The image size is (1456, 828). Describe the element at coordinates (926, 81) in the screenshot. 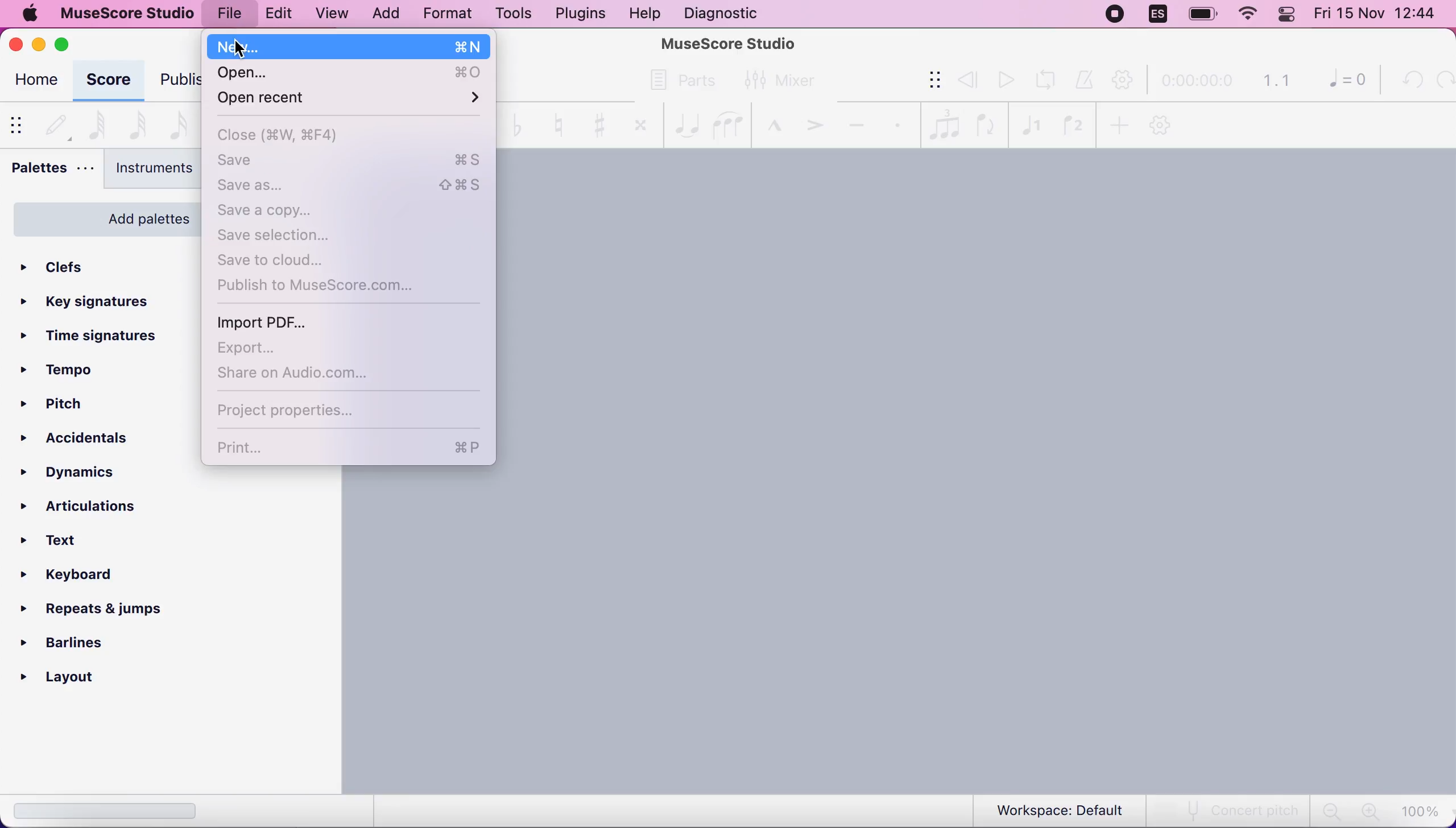

I see `show/hide` at that location.